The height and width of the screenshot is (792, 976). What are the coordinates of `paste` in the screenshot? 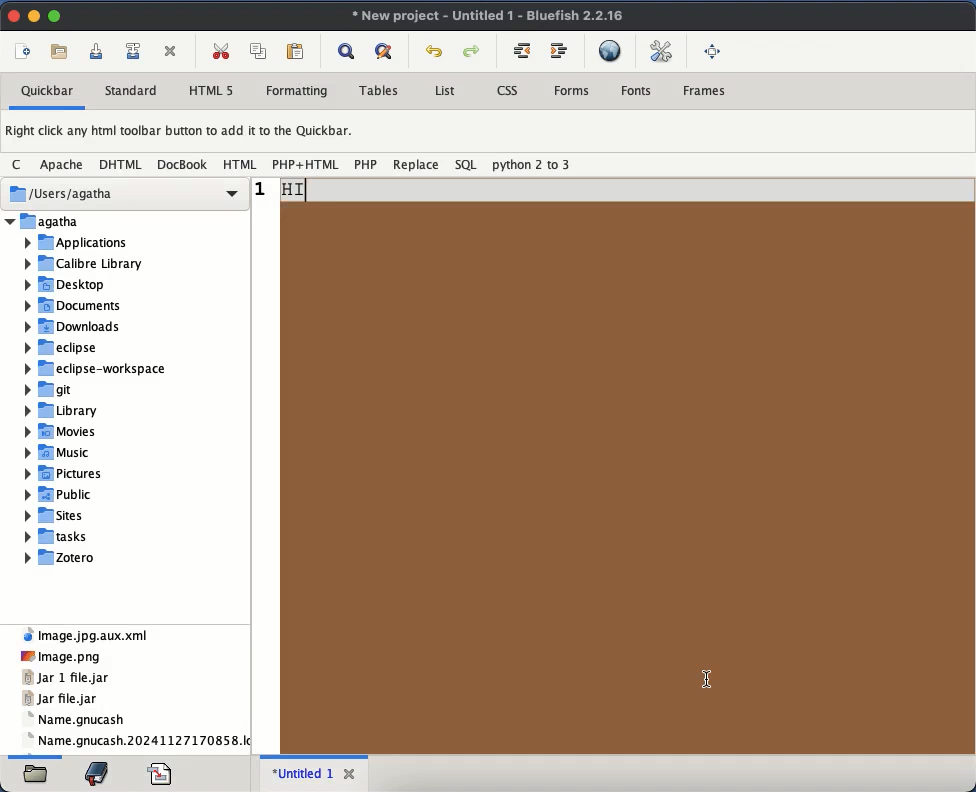 It's located at (295, 50).